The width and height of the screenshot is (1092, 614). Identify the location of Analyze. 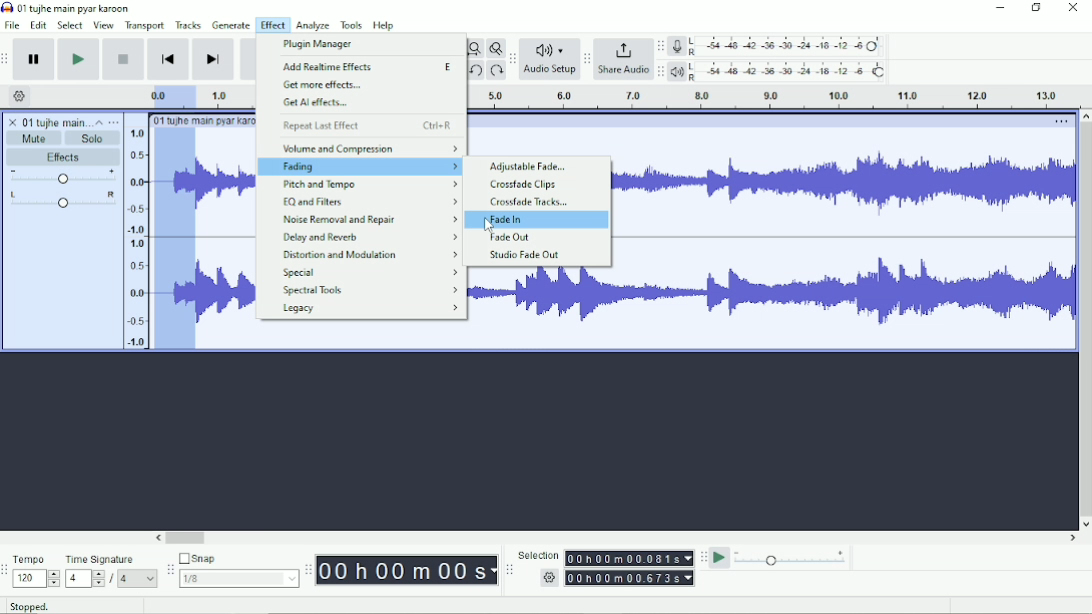
(314, 26).